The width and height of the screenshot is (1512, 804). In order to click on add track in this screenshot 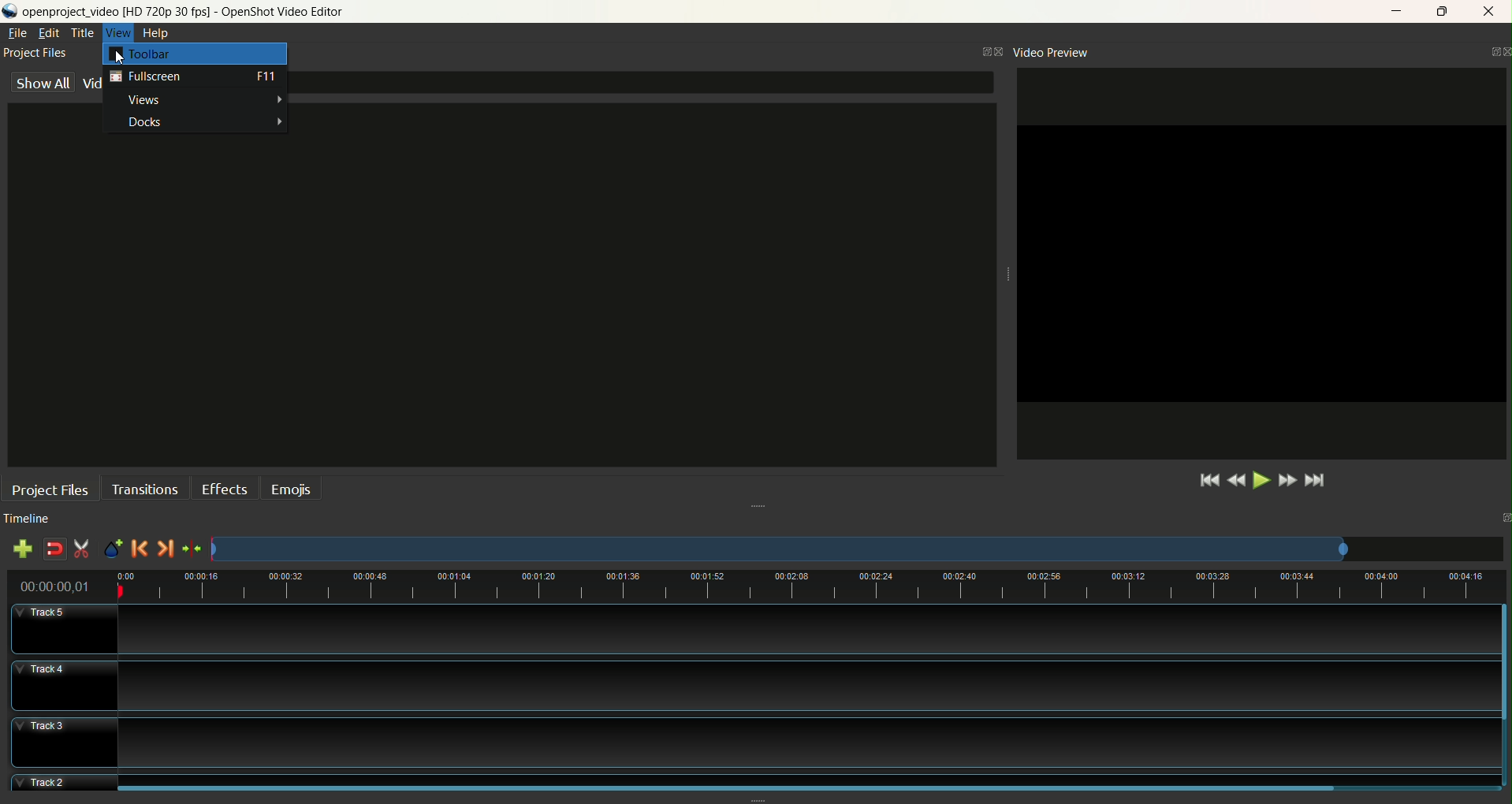, I will do `click(24, 549)`.